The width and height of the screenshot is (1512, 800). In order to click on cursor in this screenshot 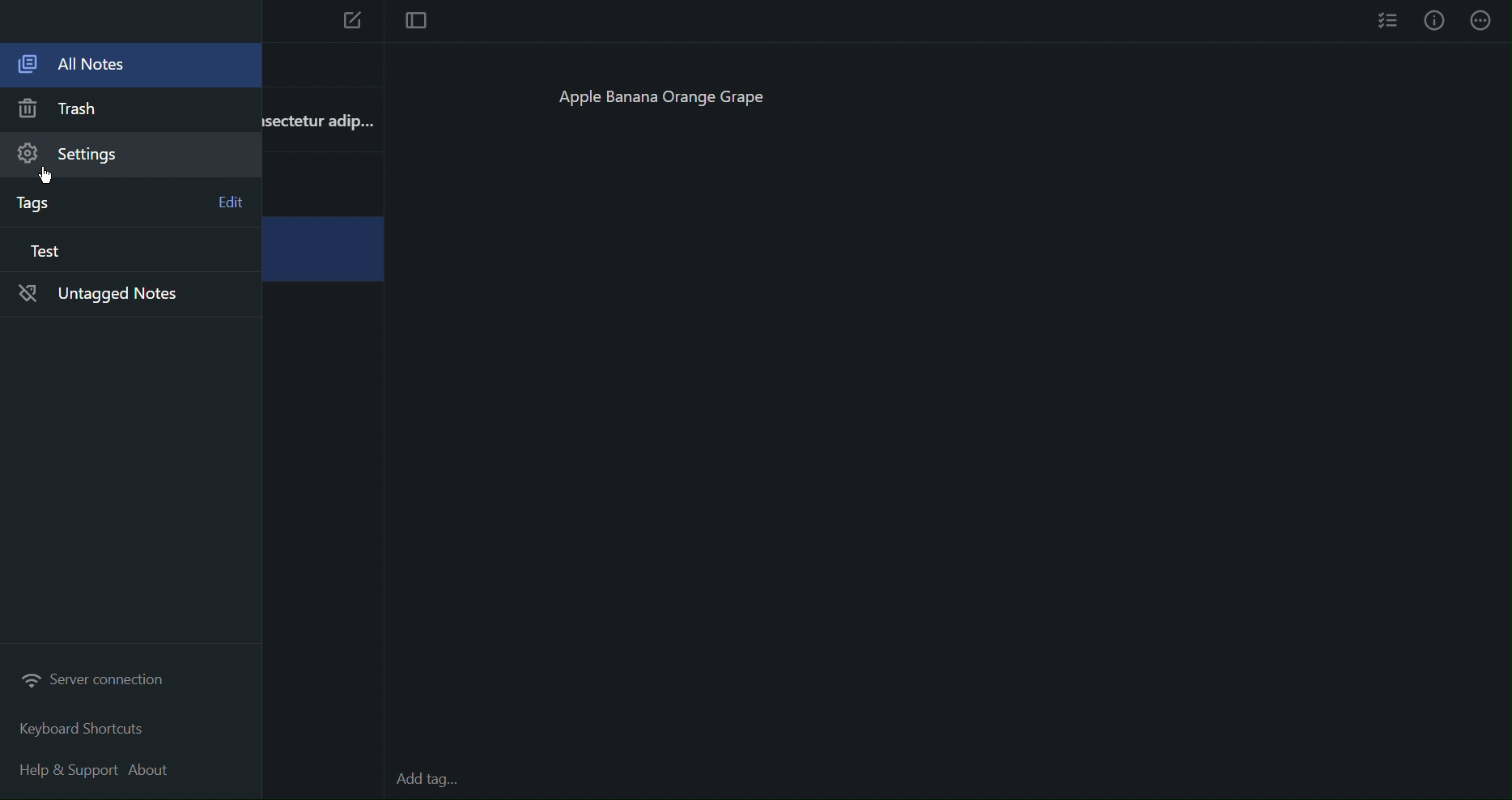, I will do `click(51, 177)`.